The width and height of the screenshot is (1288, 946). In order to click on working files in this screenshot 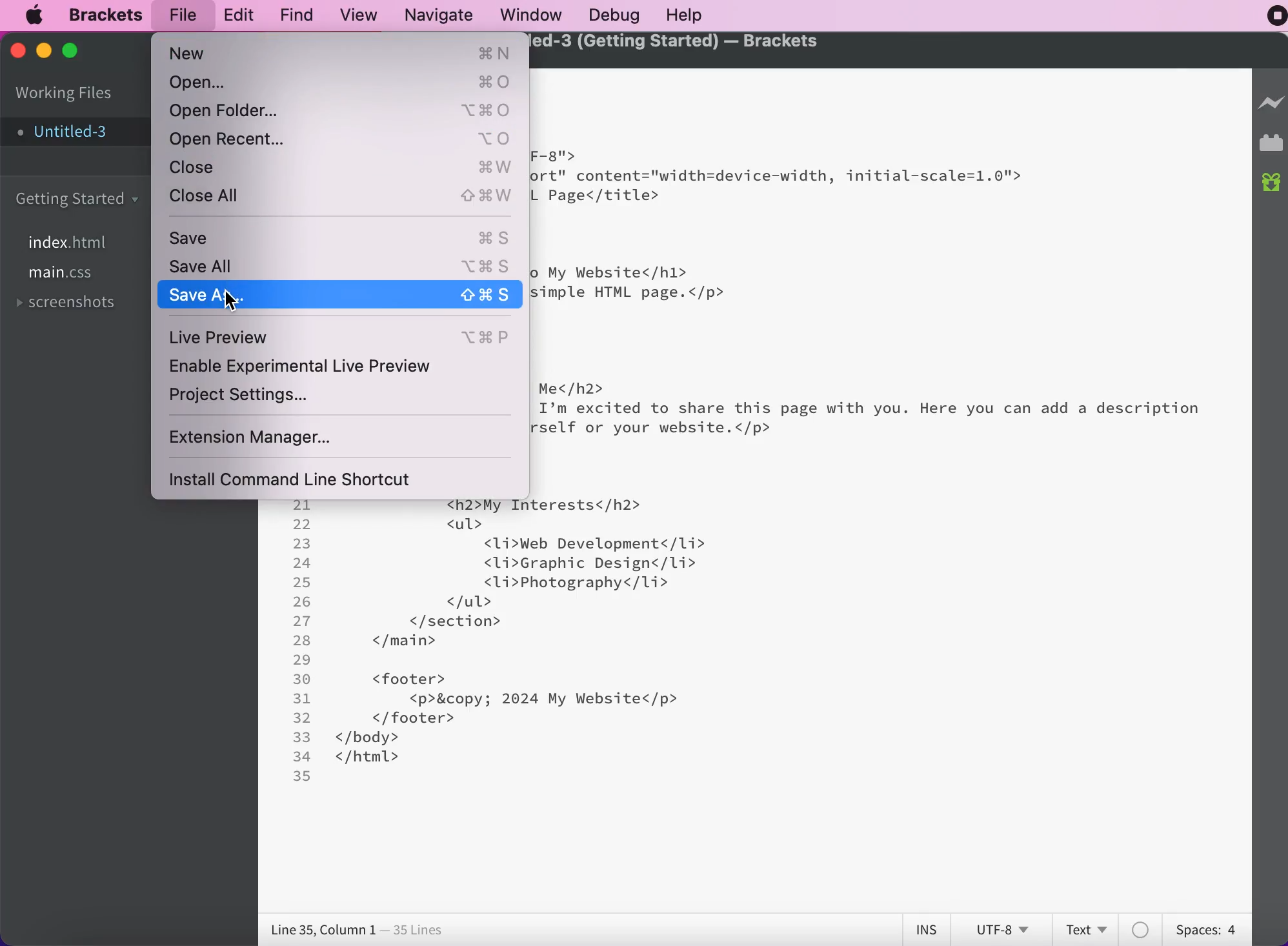, I will do `click(64, 94)`.